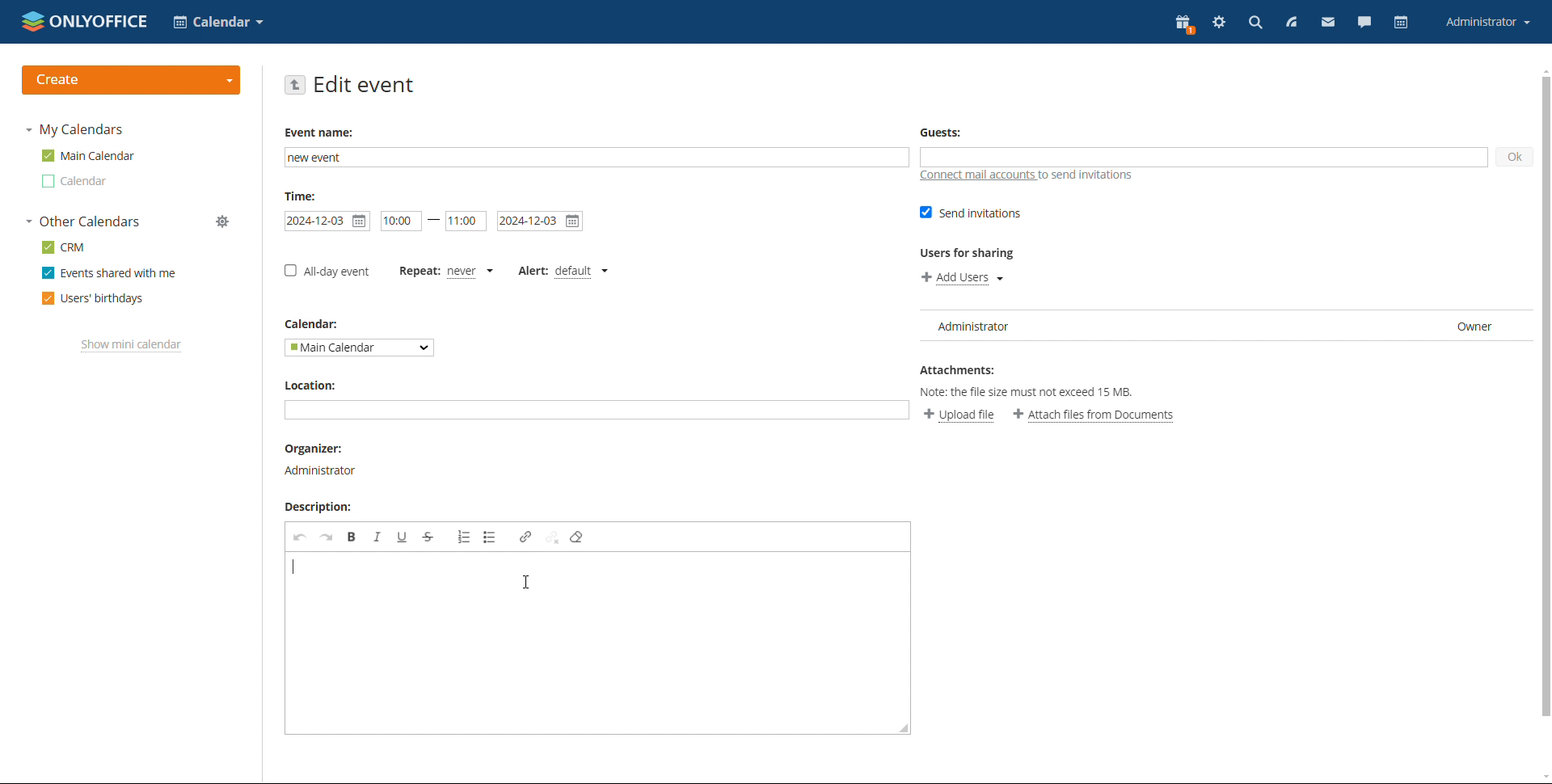  Describe the element at coordinates (358, 348) in the screenshot. I see `select calendar` at that location.